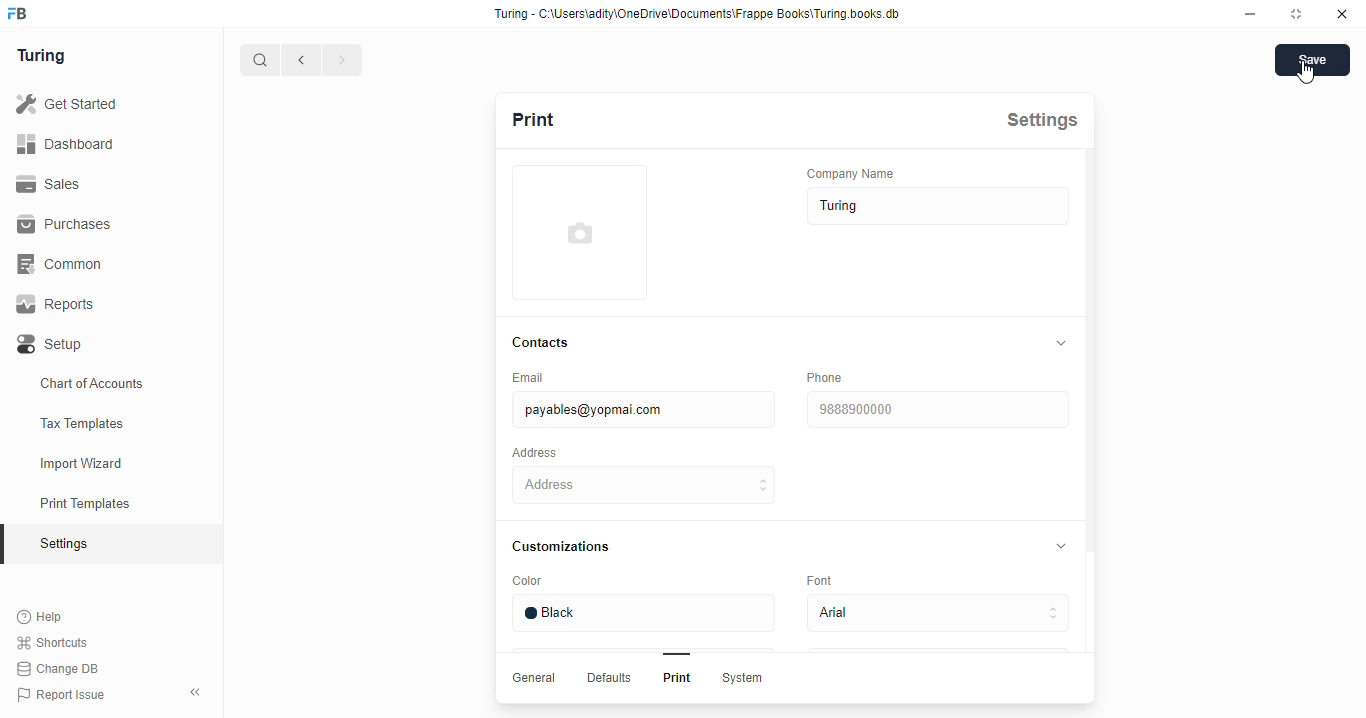  What do you see at coordinates (611, 679) in the screenshot?
I see `Defaults` at bounding box center [611, 679].